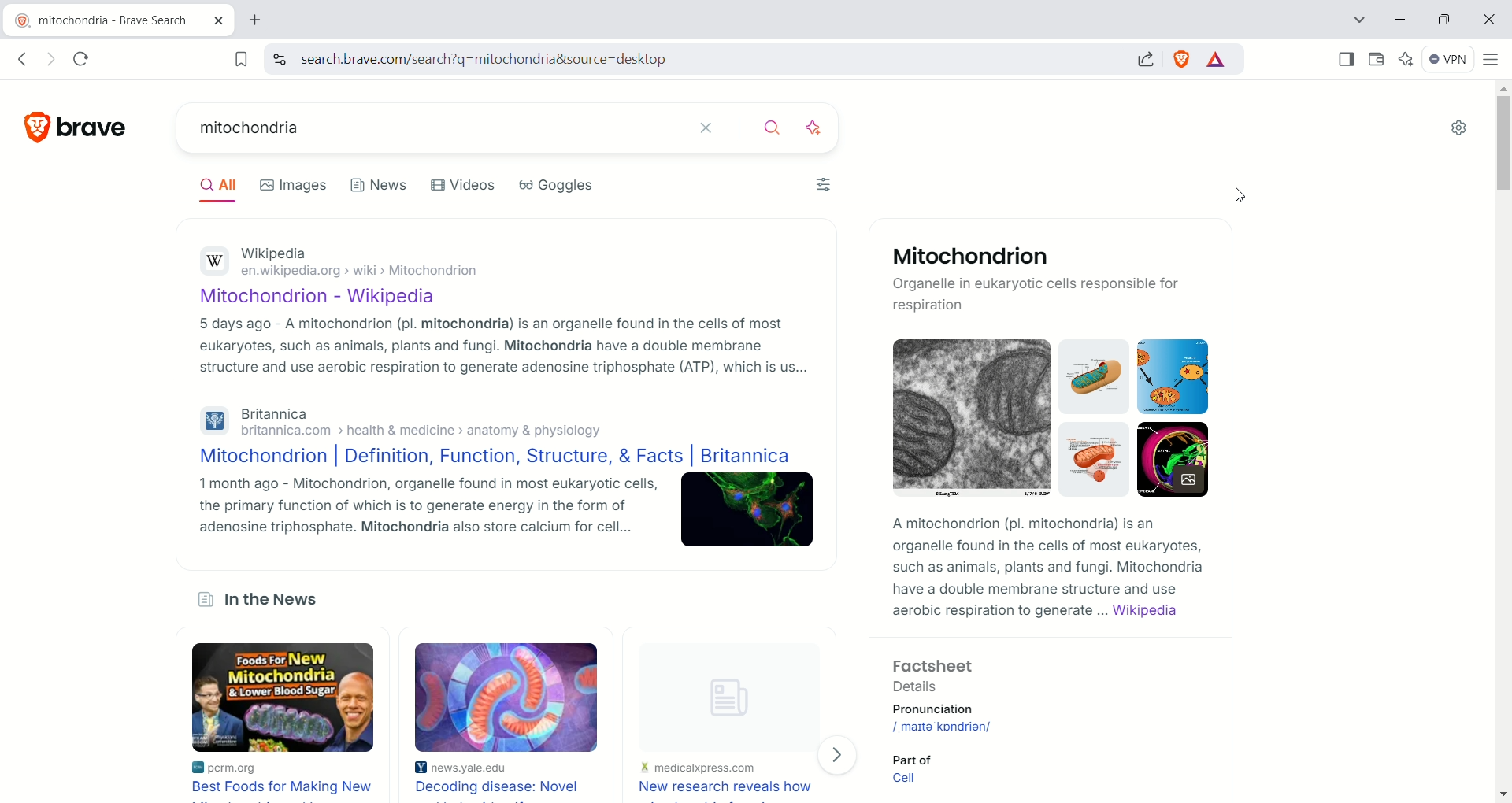 This screenshot has width=1512, height=803. What do you see at coordinates (1458, 128) in the screenshot?
I see `settings` at bounding box center [1458, 128].